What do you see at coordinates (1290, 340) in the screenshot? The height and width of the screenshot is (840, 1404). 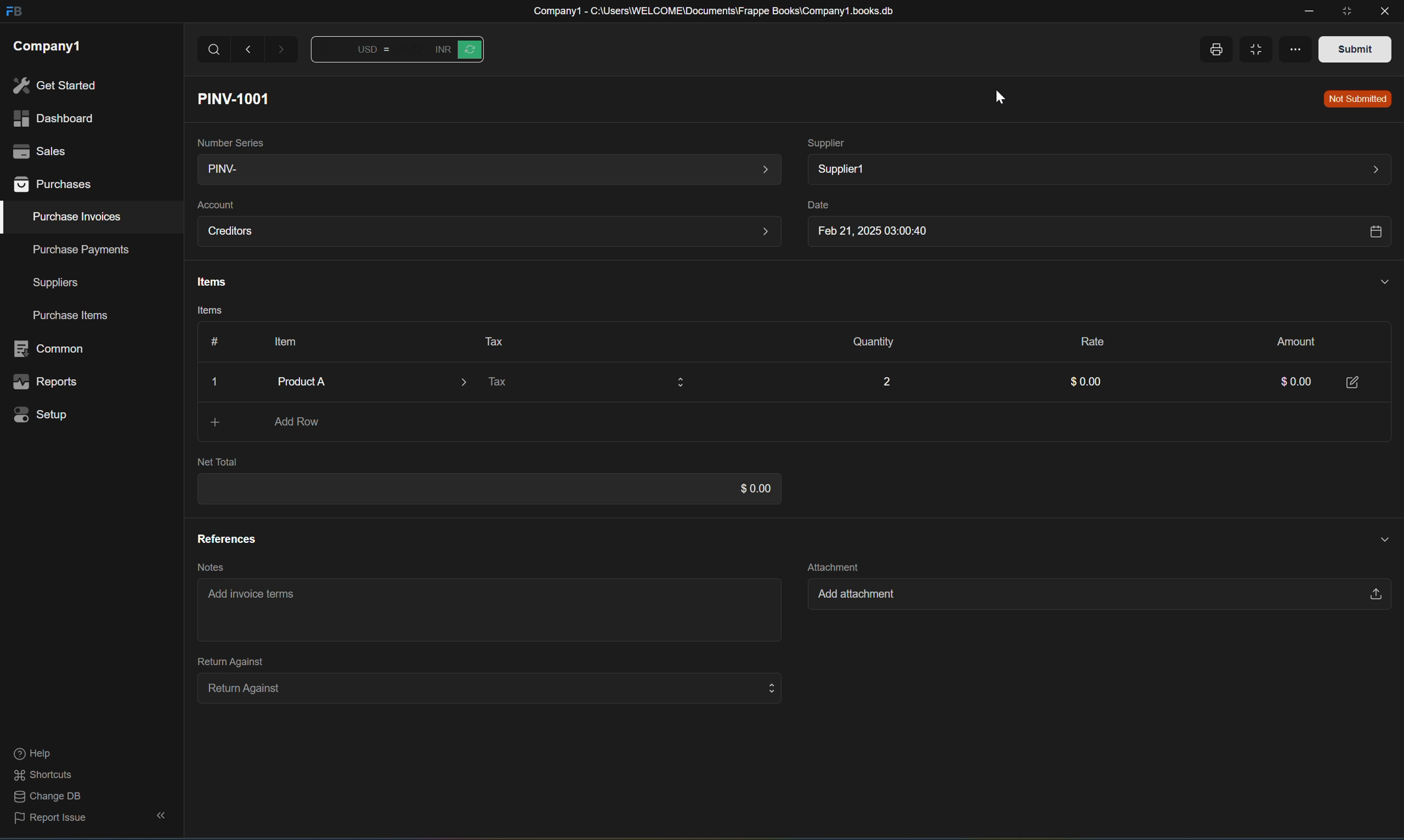 I see `Amount` at bounding box center [1290, 340].